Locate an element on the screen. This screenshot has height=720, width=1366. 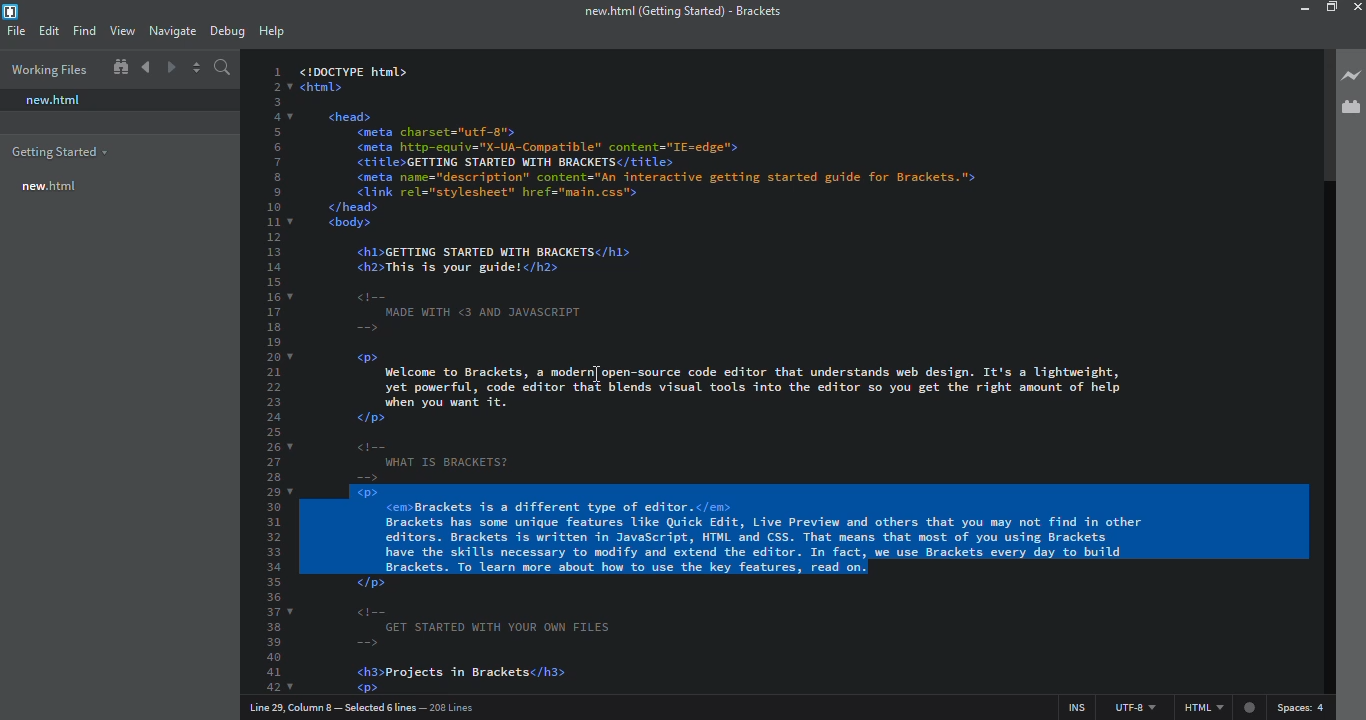
split editor is located at coordinates (196, 66).